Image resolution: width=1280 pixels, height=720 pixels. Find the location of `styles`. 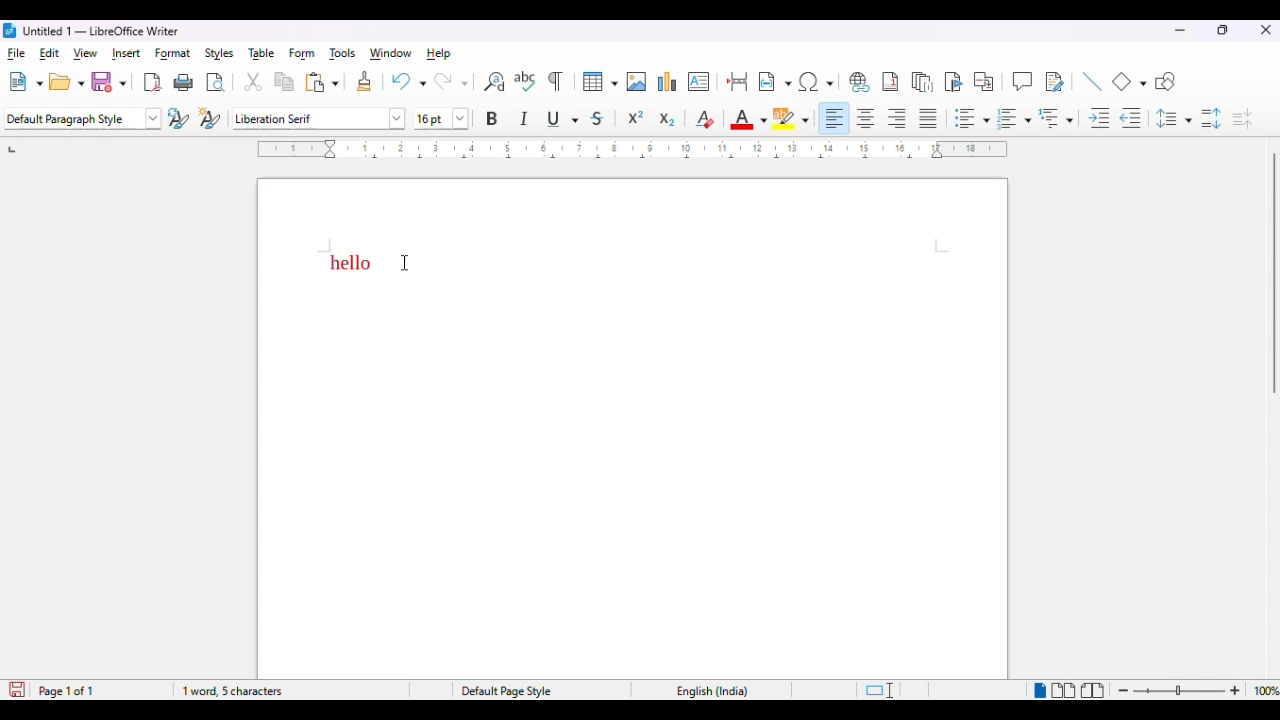

styles is located at coordinates (220, 54).